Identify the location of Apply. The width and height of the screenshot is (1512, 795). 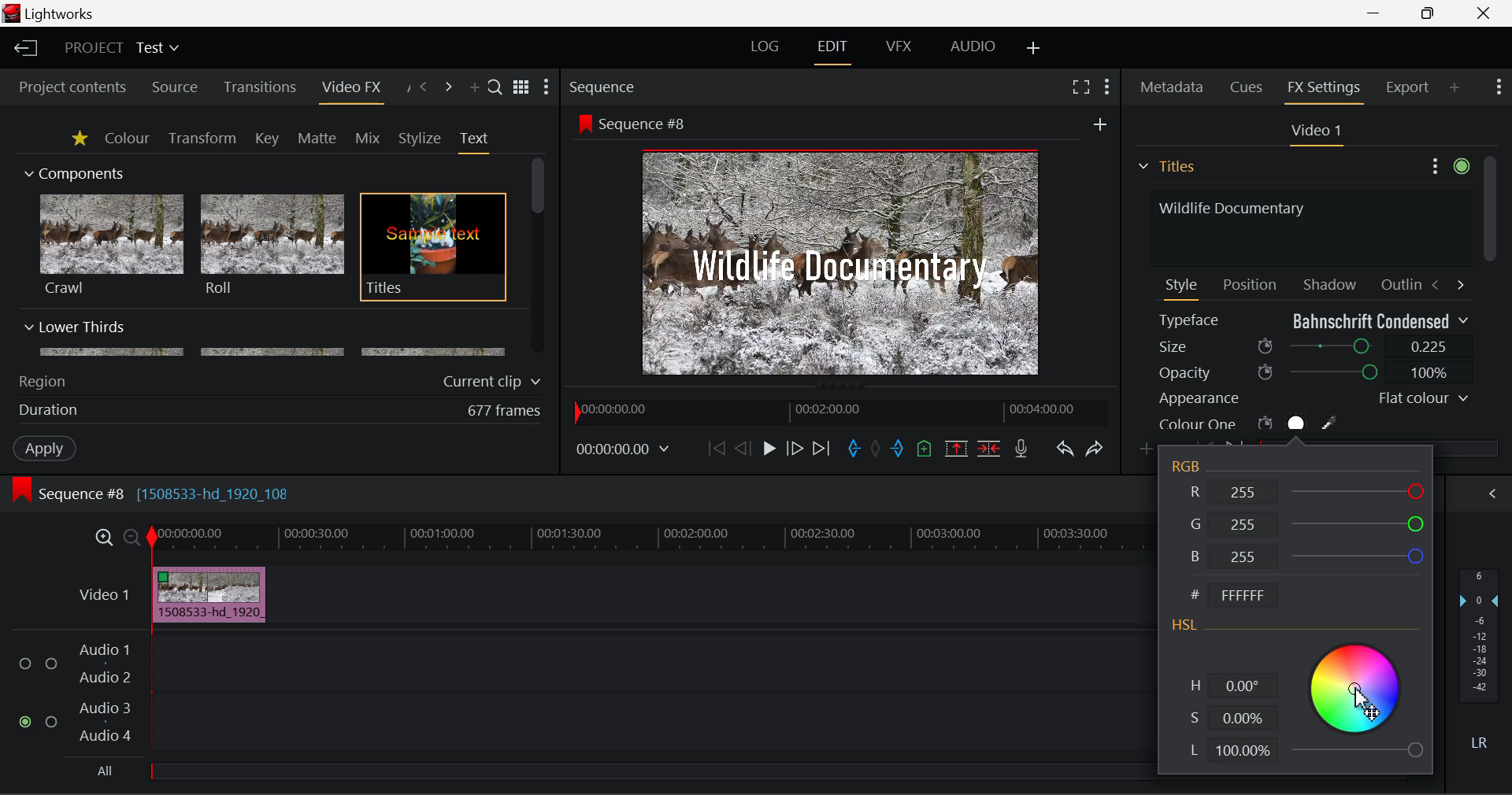
(46, 447).